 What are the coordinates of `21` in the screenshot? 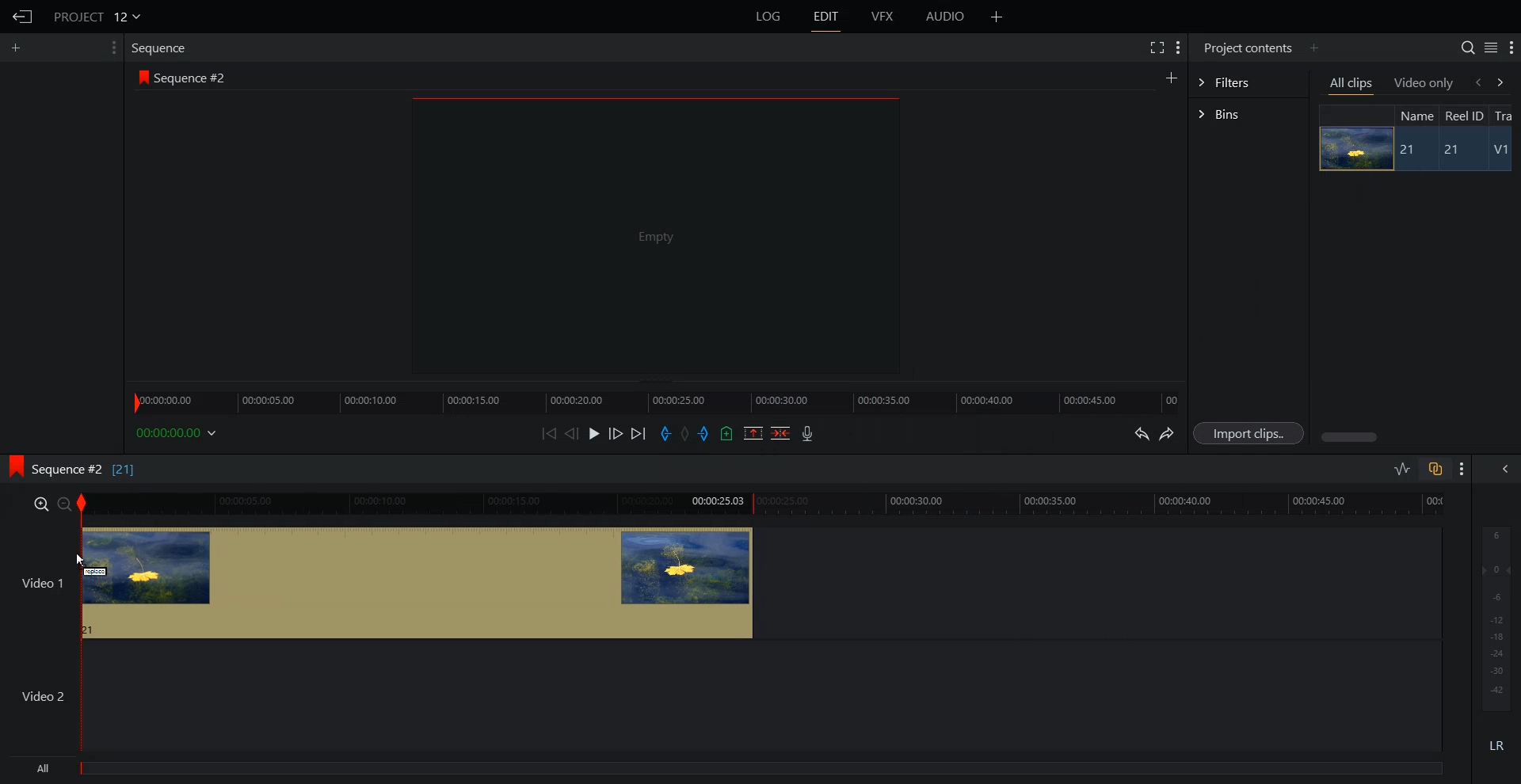 It's located at (1458, 150).